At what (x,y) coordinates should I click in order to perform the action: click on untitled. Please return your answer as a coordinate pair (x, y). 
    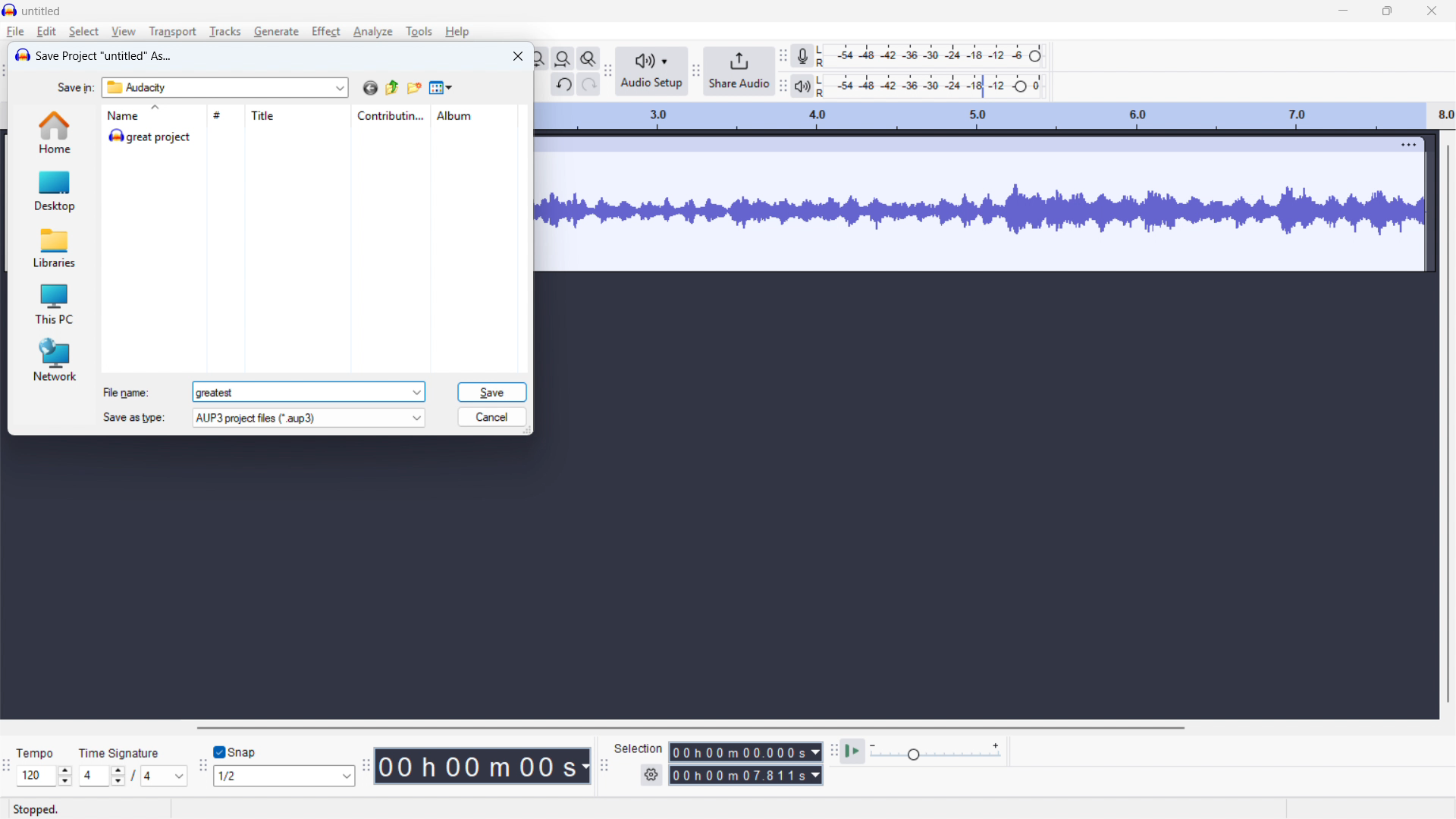
    Looking at the image, I should click on (41, 11).